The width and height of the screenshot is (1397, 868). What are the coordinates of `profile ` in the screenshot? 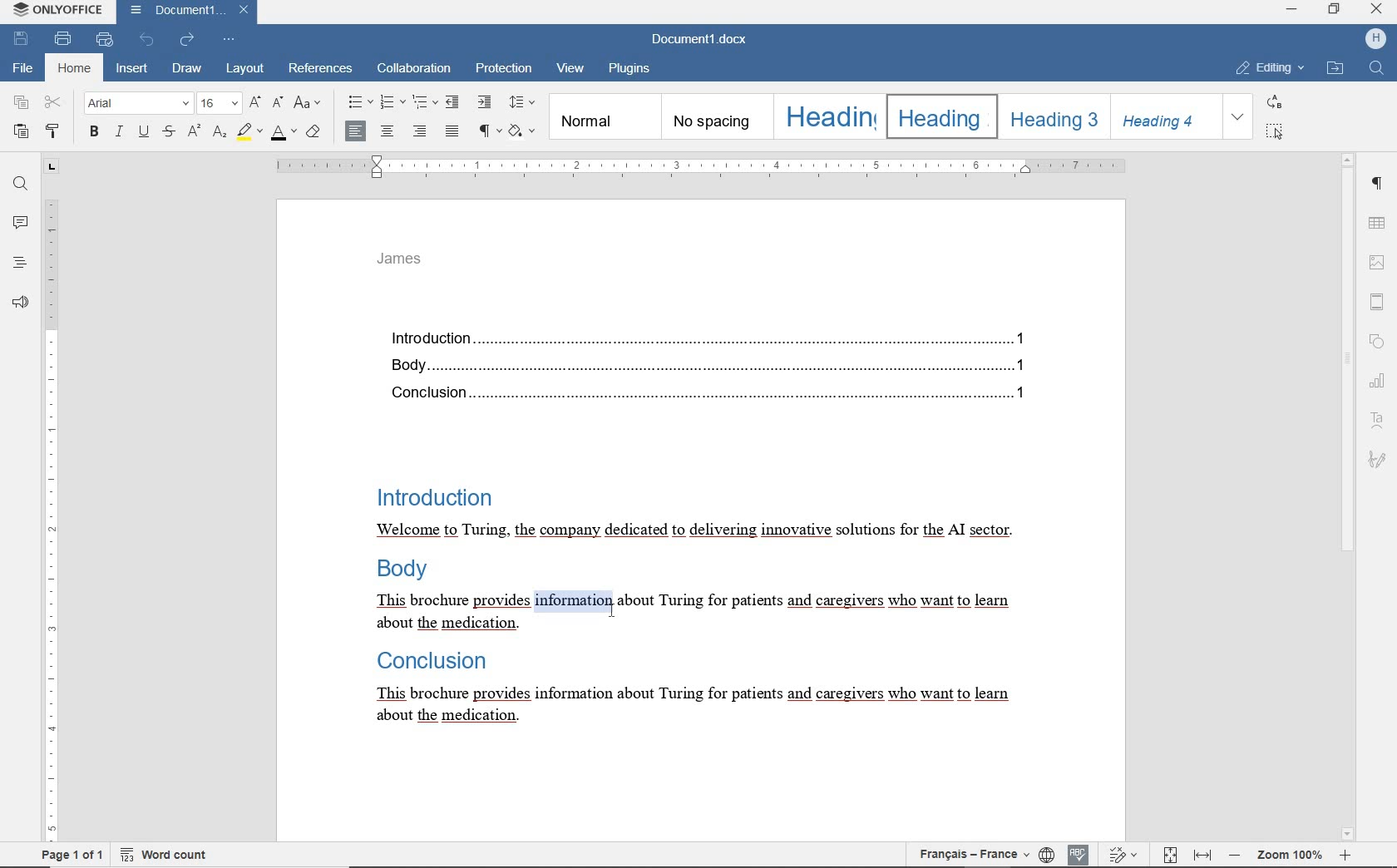 It's located at (1373, 40).